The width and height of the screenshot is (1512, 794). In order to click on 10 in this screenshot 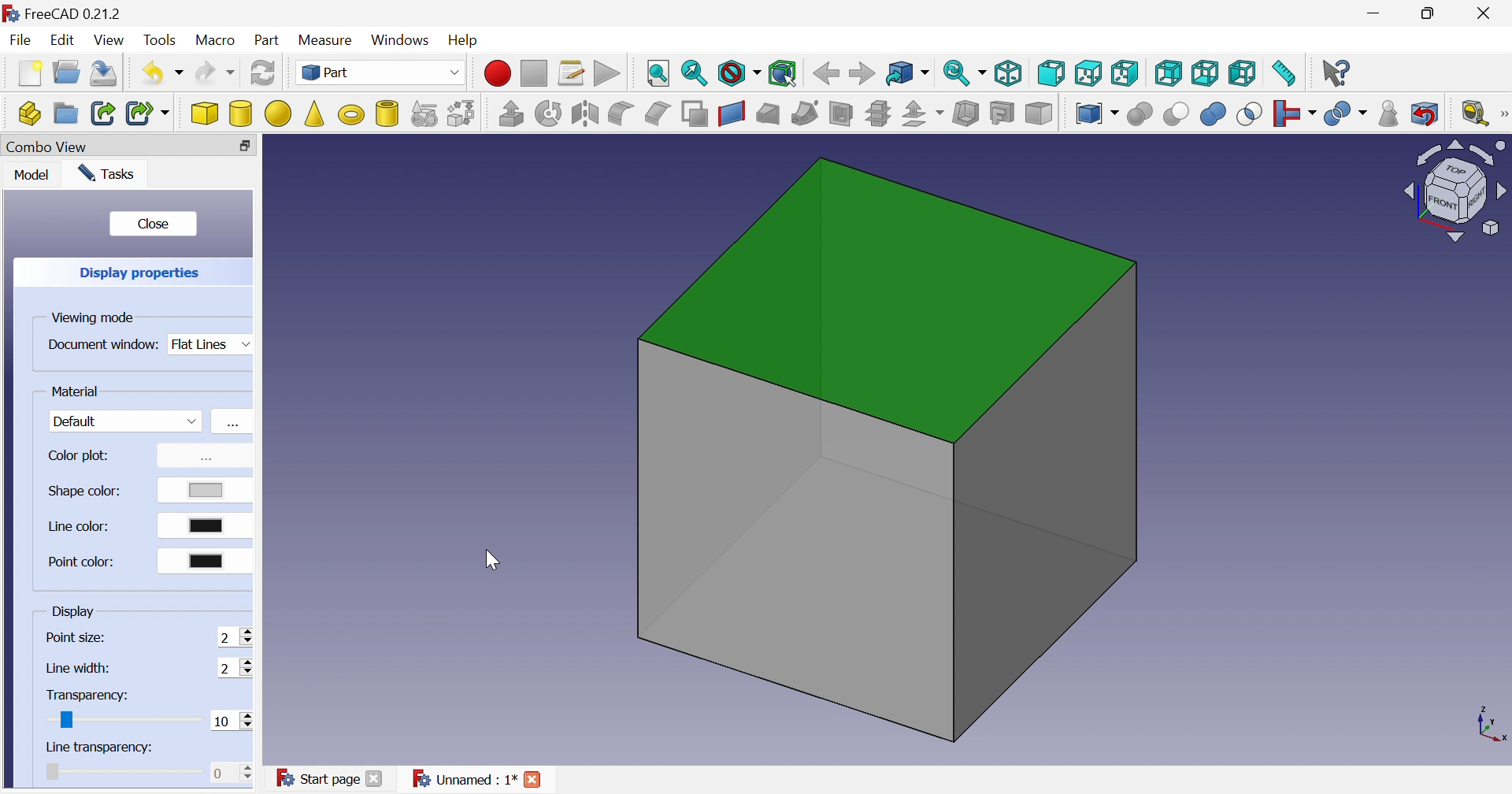, I will do `click(231, 720)`.